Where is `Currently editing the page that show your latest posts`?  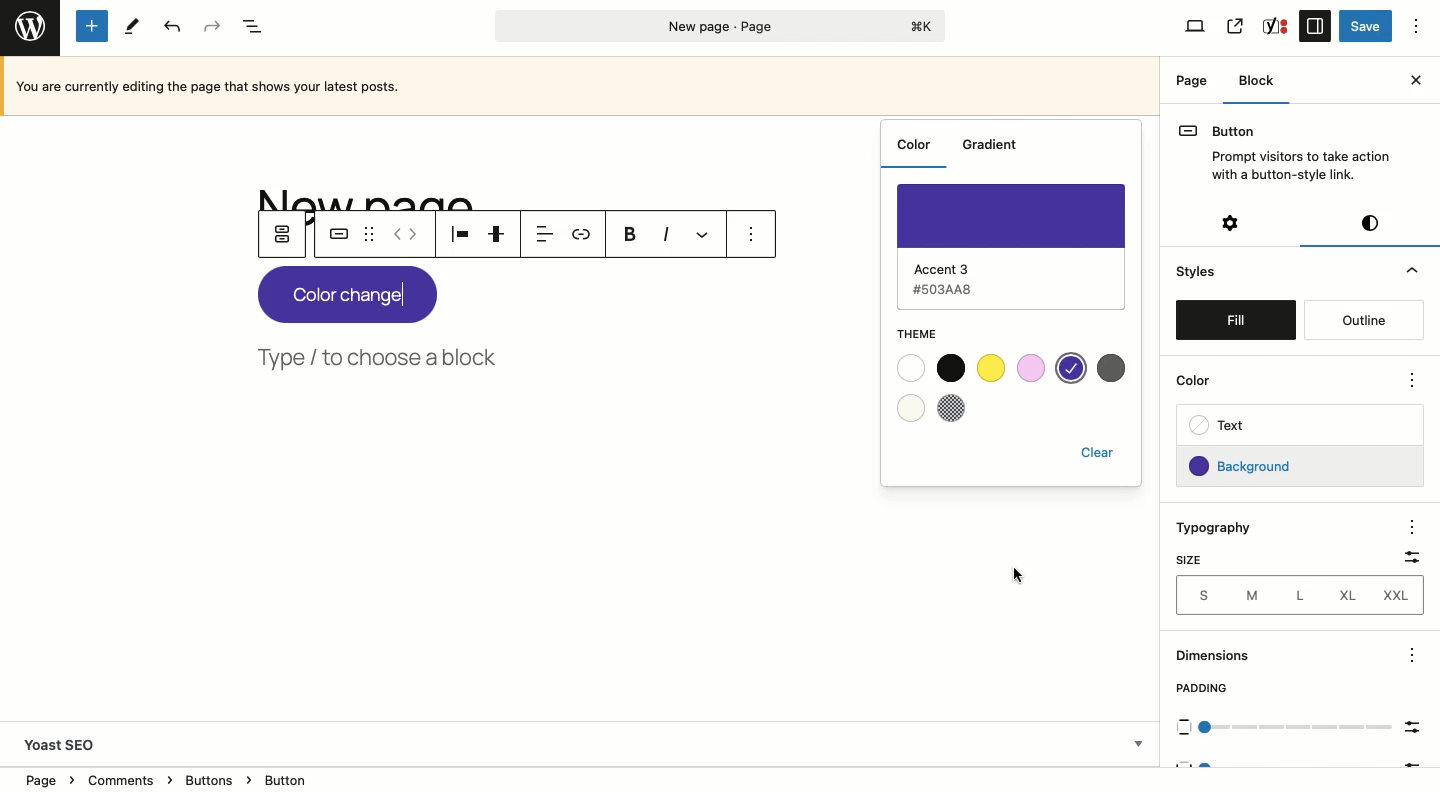
Currently editing the page that show your latest posts is located at coordinates (584, 86).